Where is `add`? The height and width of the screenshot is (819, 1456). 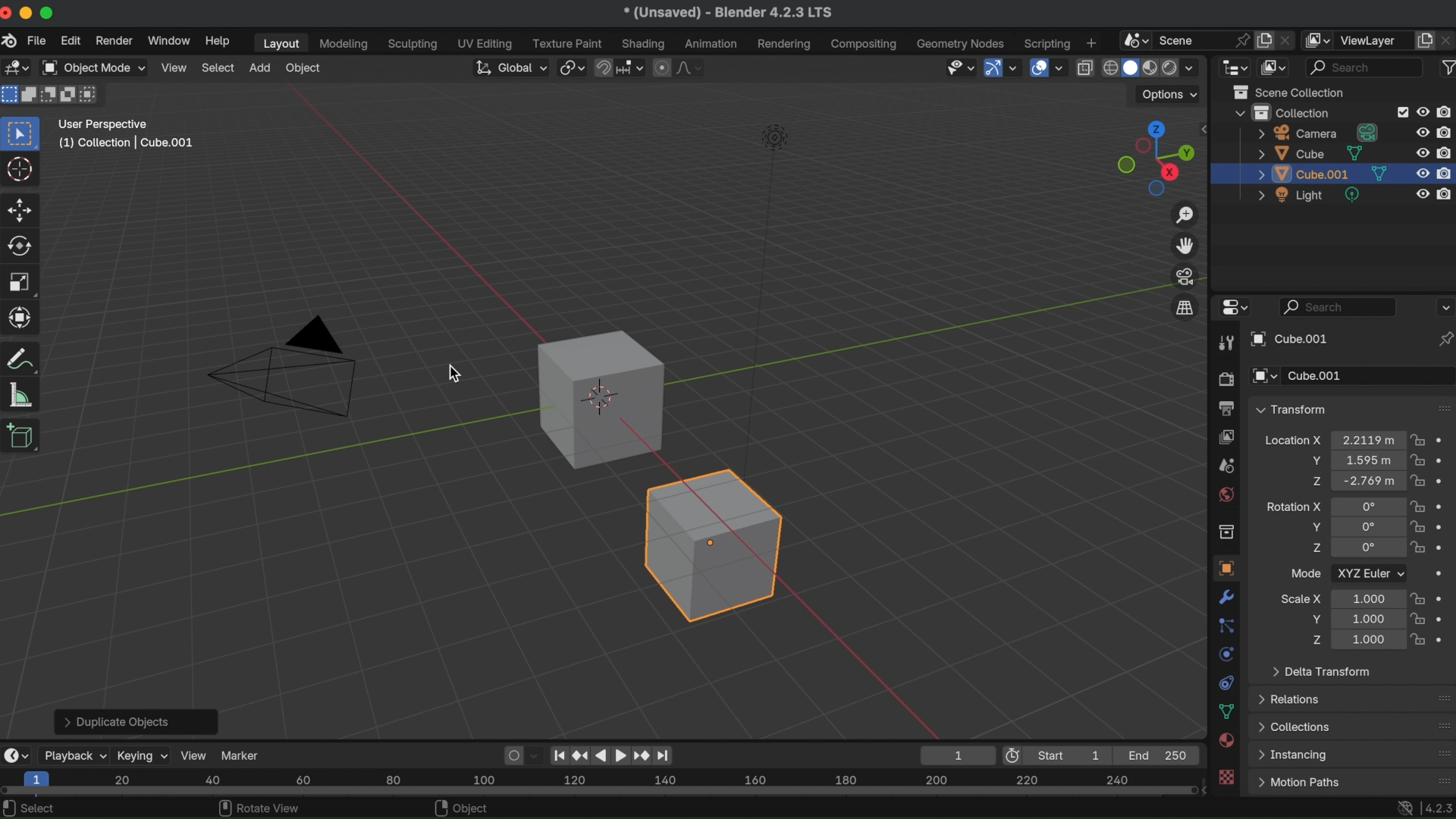
add is located at coordinates (259, 67).